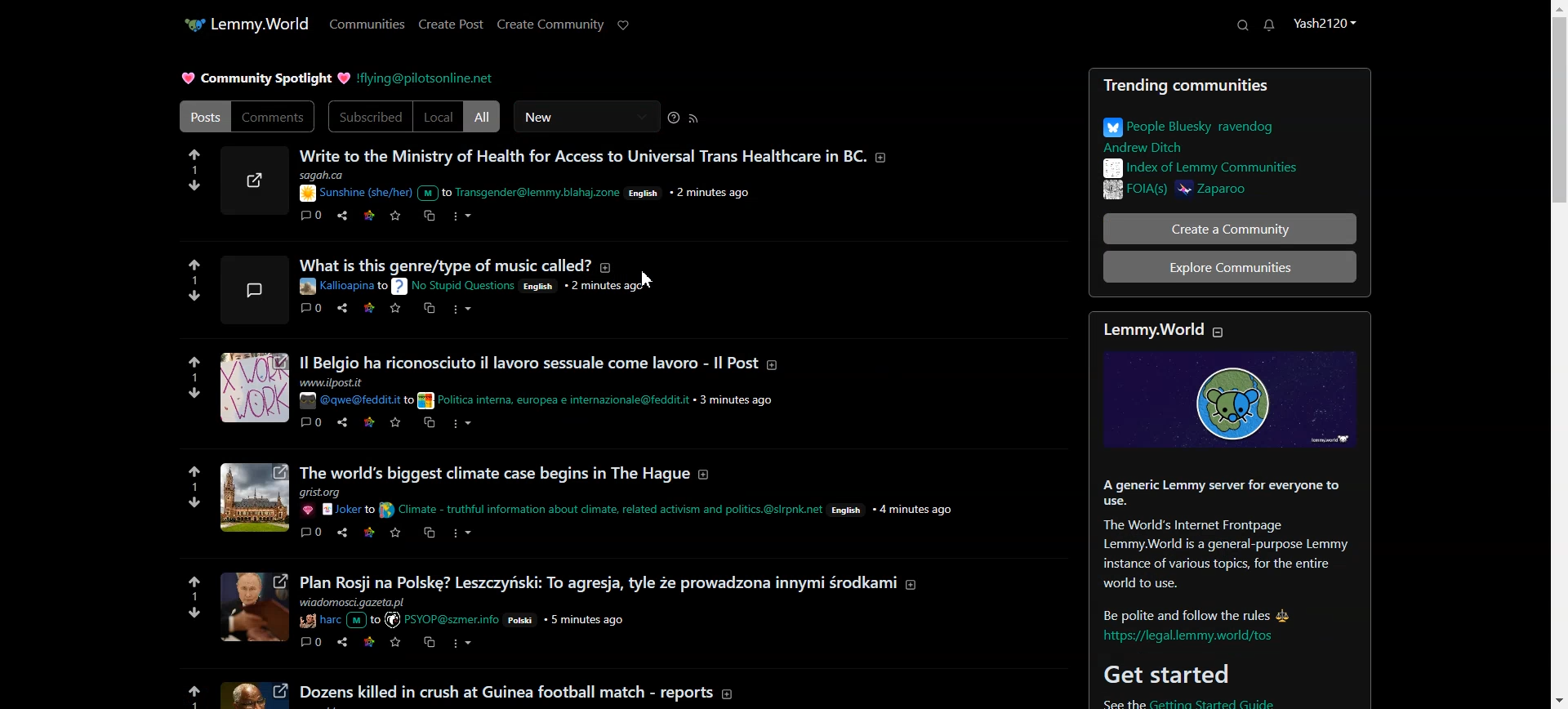 This screenshot has width=1568, height=709. What do you see at coordinates (428, 312) in the screenshot?
I see `copy` at bounding box center [428, 312].